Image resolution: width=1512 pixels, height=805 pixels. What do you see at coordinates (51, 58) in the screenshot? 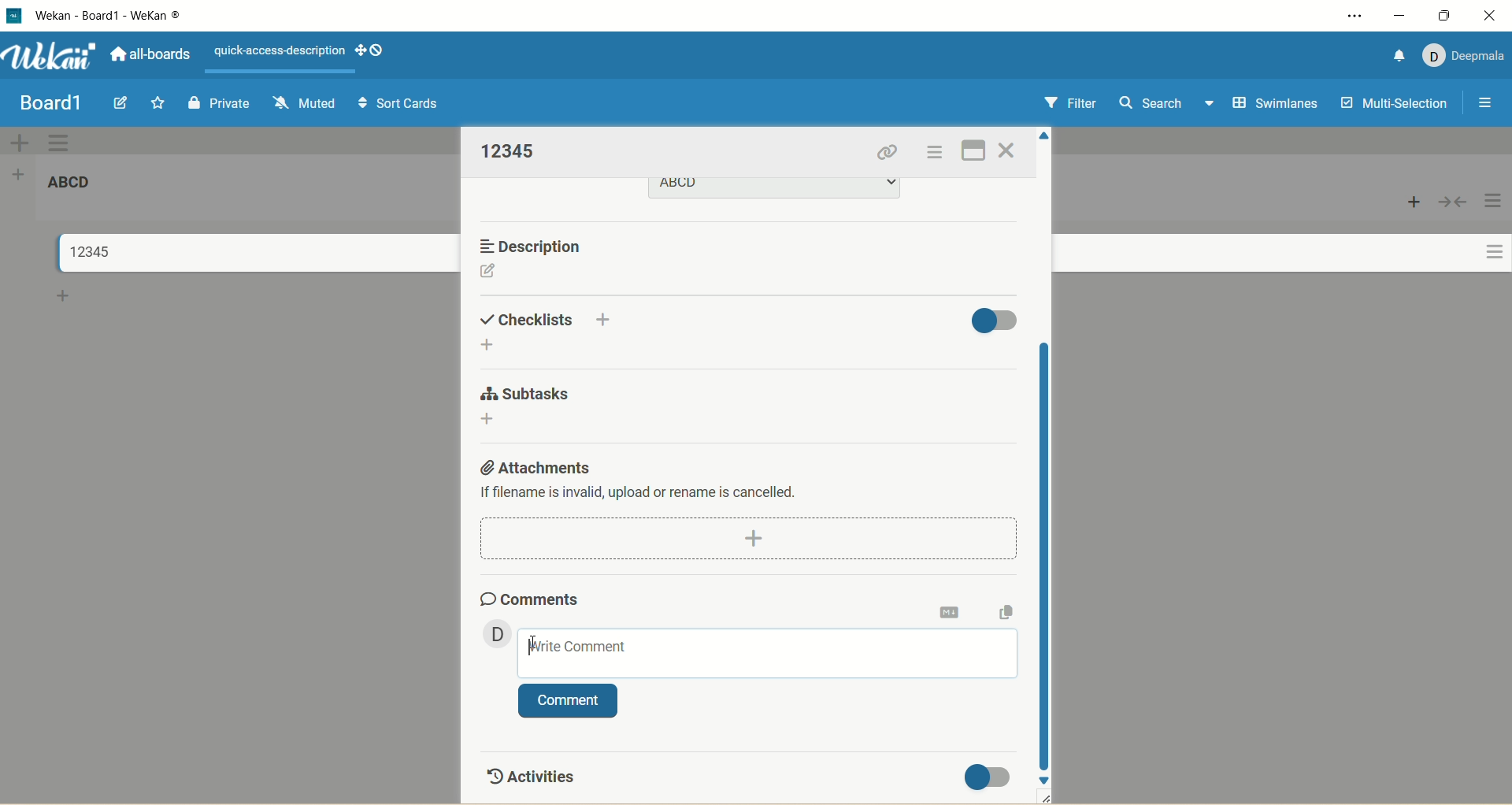
I see `wekan` at bounding box center [51, 58].